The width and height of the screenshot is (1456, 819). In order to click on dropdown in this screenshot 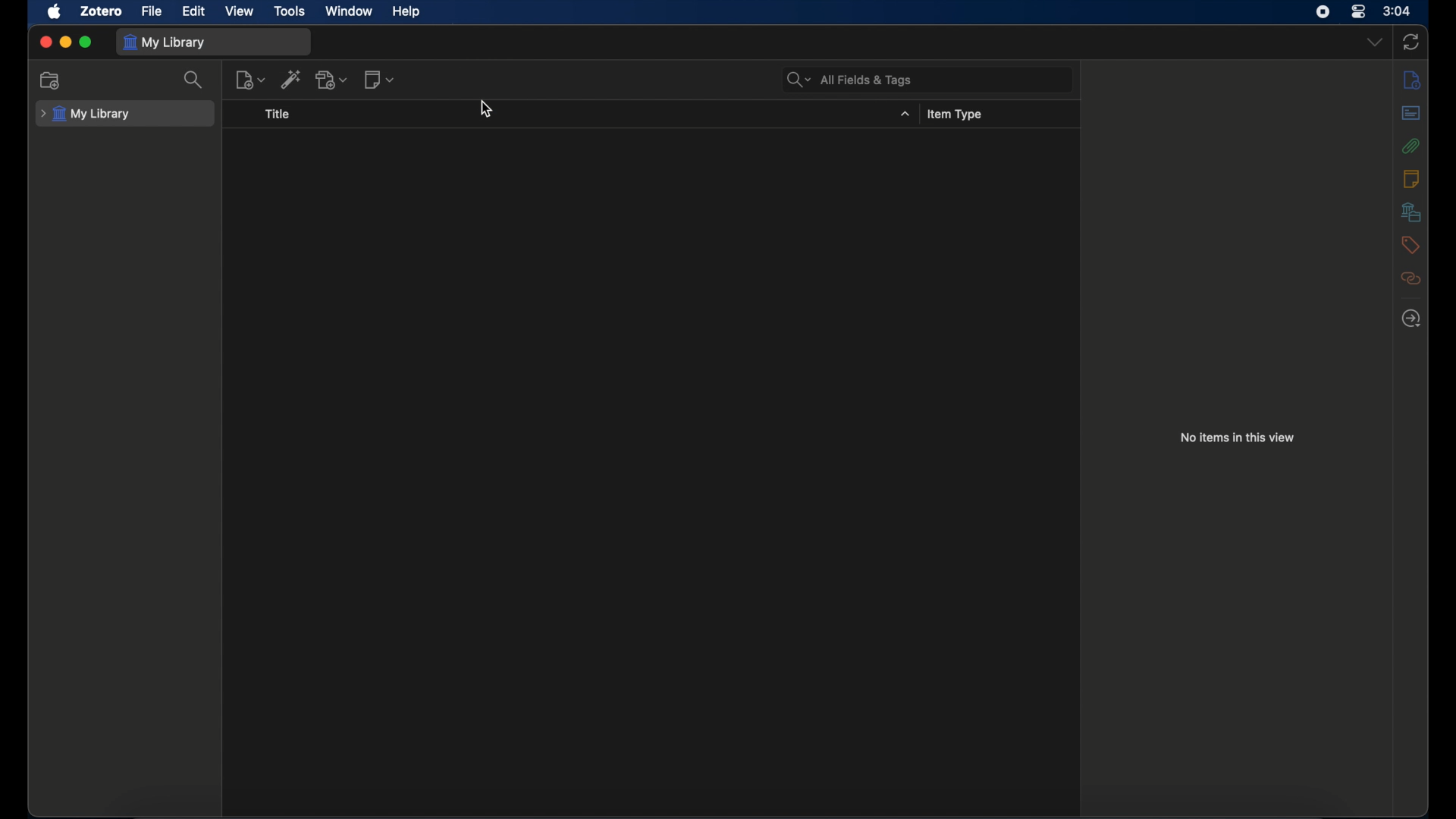, I will do `click(906, 115)`.